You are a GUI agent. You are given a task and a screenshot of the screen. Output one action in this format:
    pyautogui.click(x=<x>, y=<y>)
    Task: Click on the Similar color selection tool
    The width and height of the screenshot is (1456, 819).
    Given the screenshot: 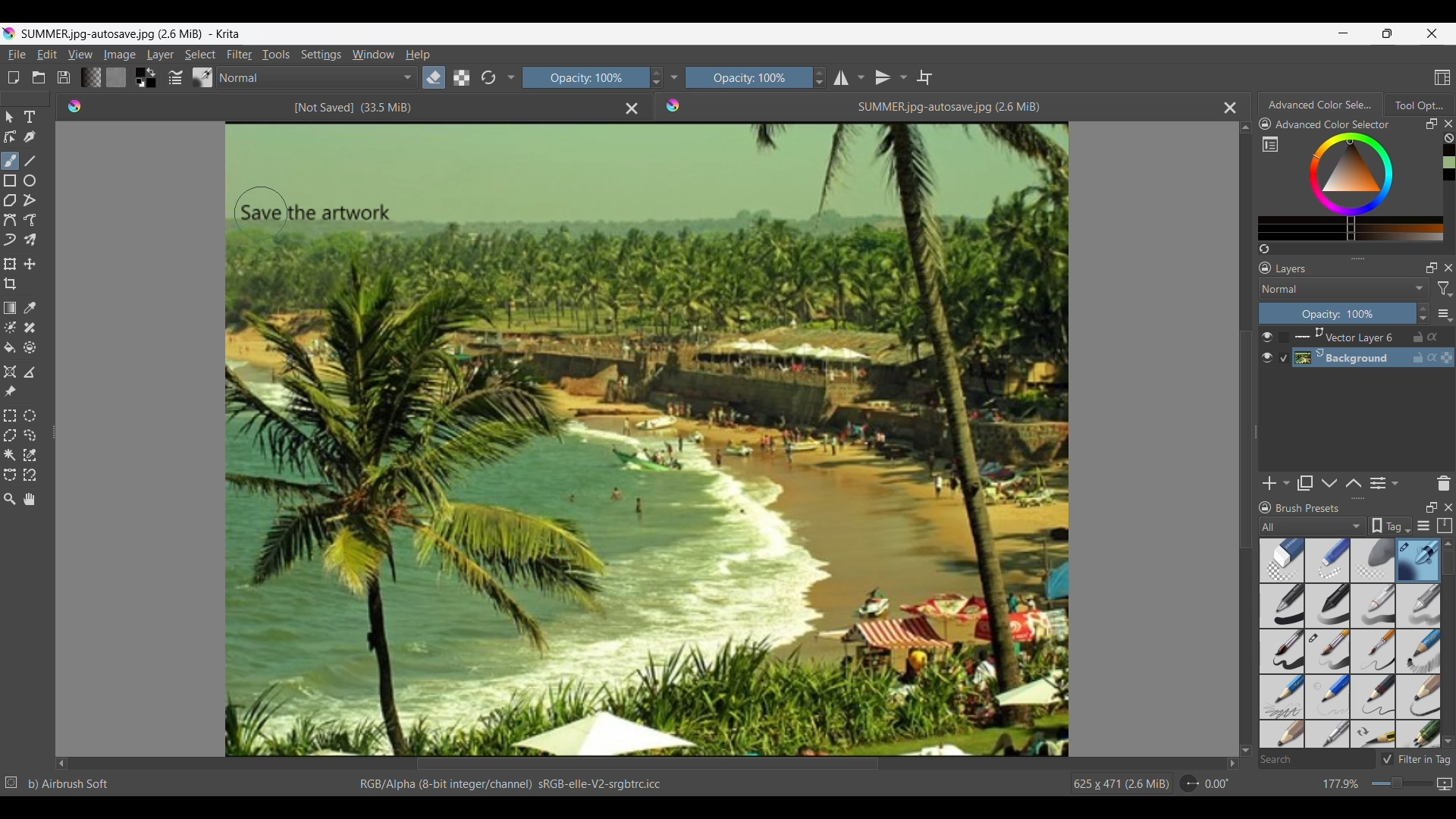 What is the action you would take?
    pyautogui.click(x=30, y=455)
    